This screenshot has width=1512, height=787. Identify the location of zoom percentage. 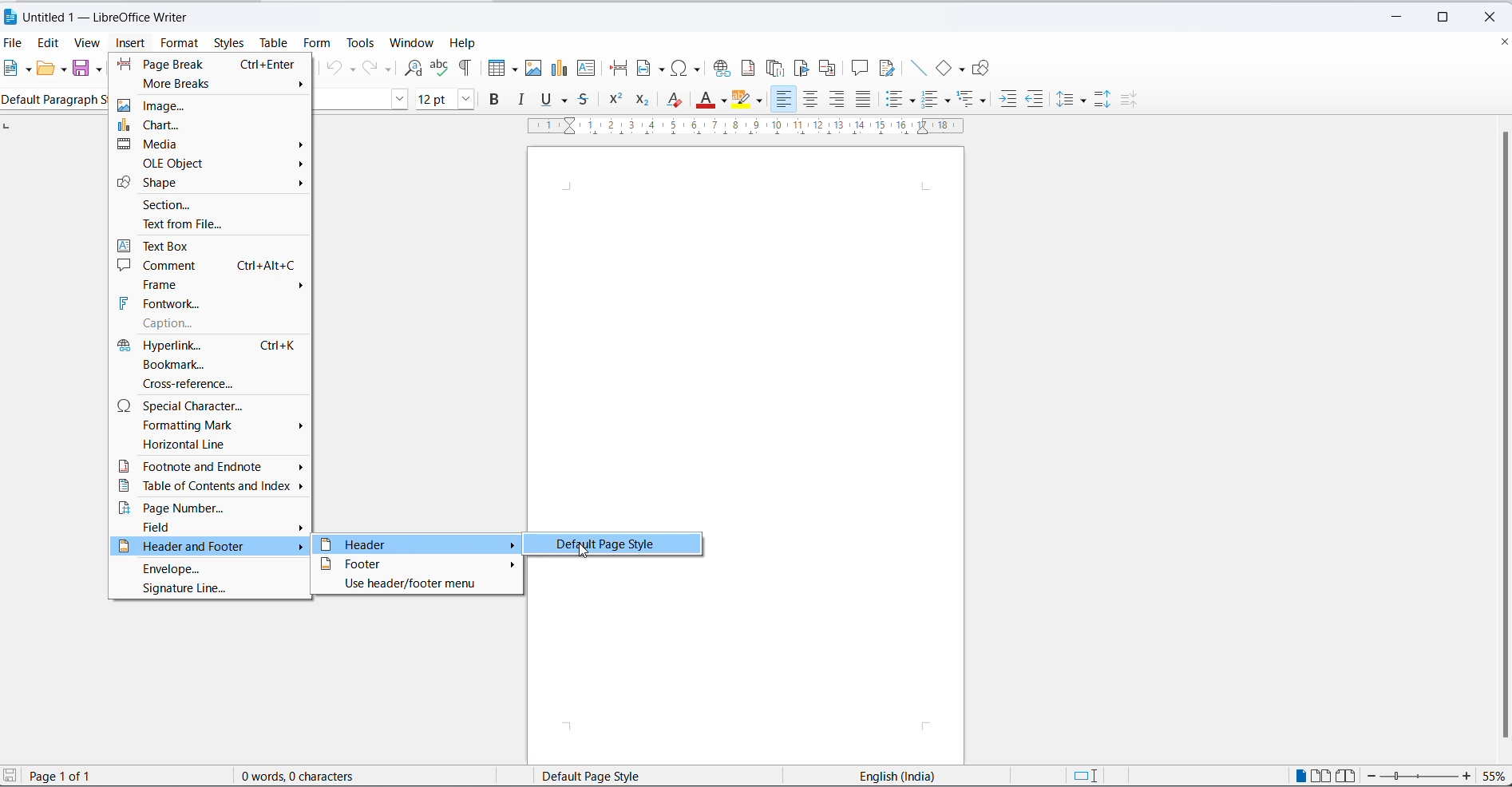
(1494, 777).